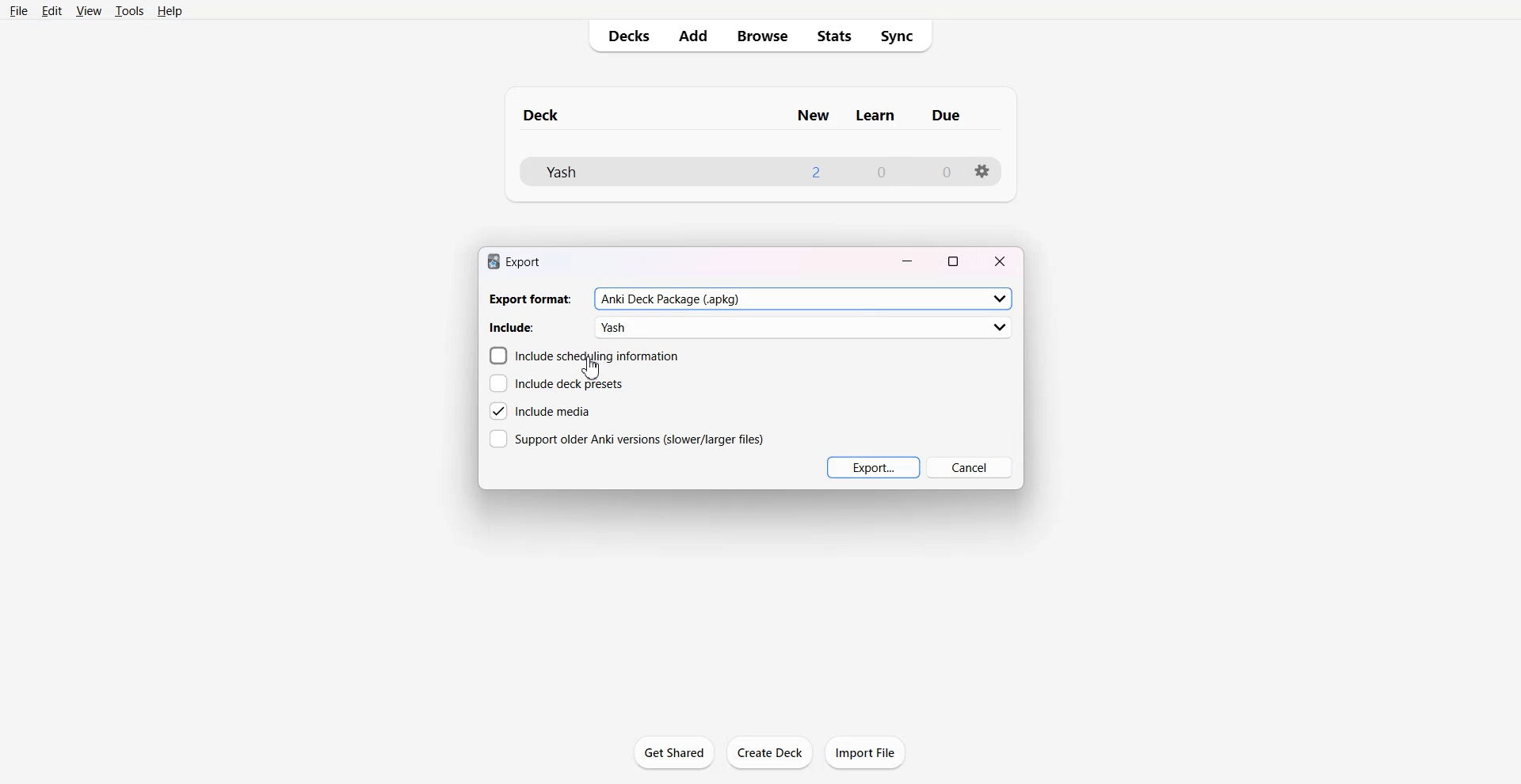  I want to click on Include: yash, so click(752, 327).